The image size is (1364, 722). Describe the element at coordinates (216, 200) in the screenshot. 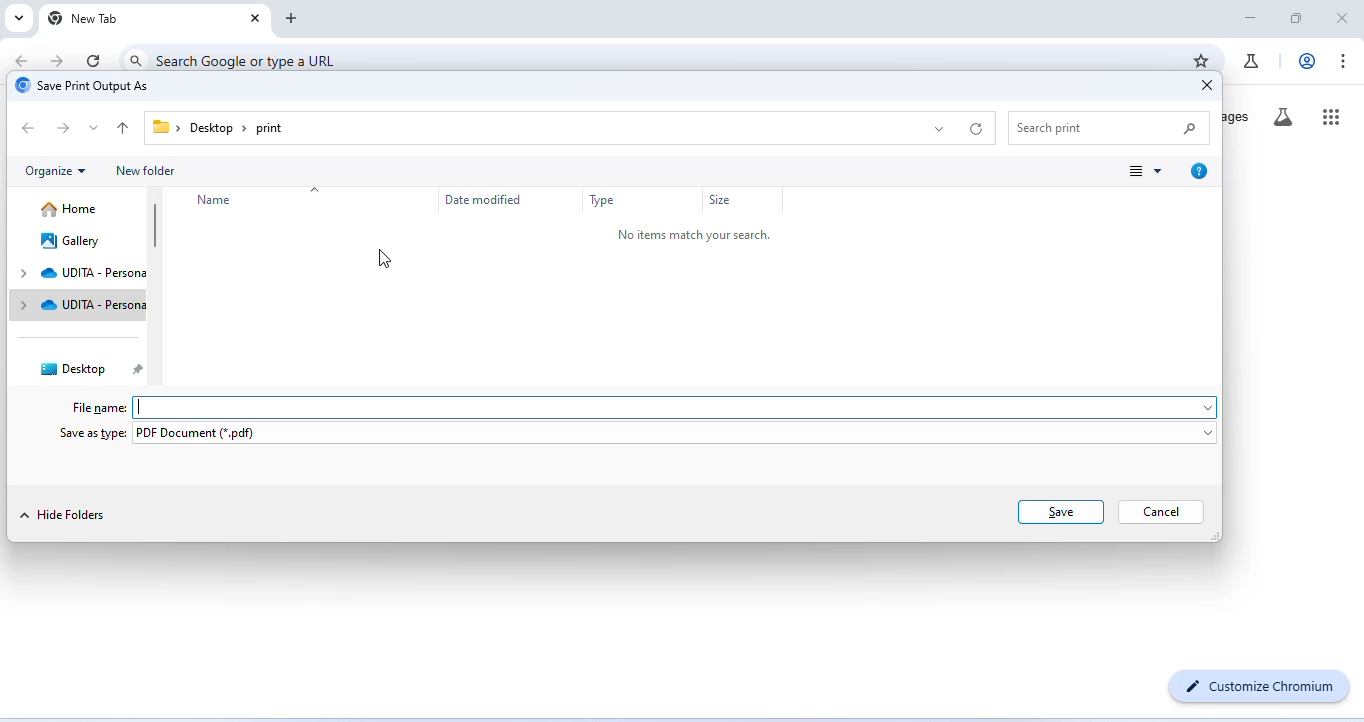

I see `name` at that location.